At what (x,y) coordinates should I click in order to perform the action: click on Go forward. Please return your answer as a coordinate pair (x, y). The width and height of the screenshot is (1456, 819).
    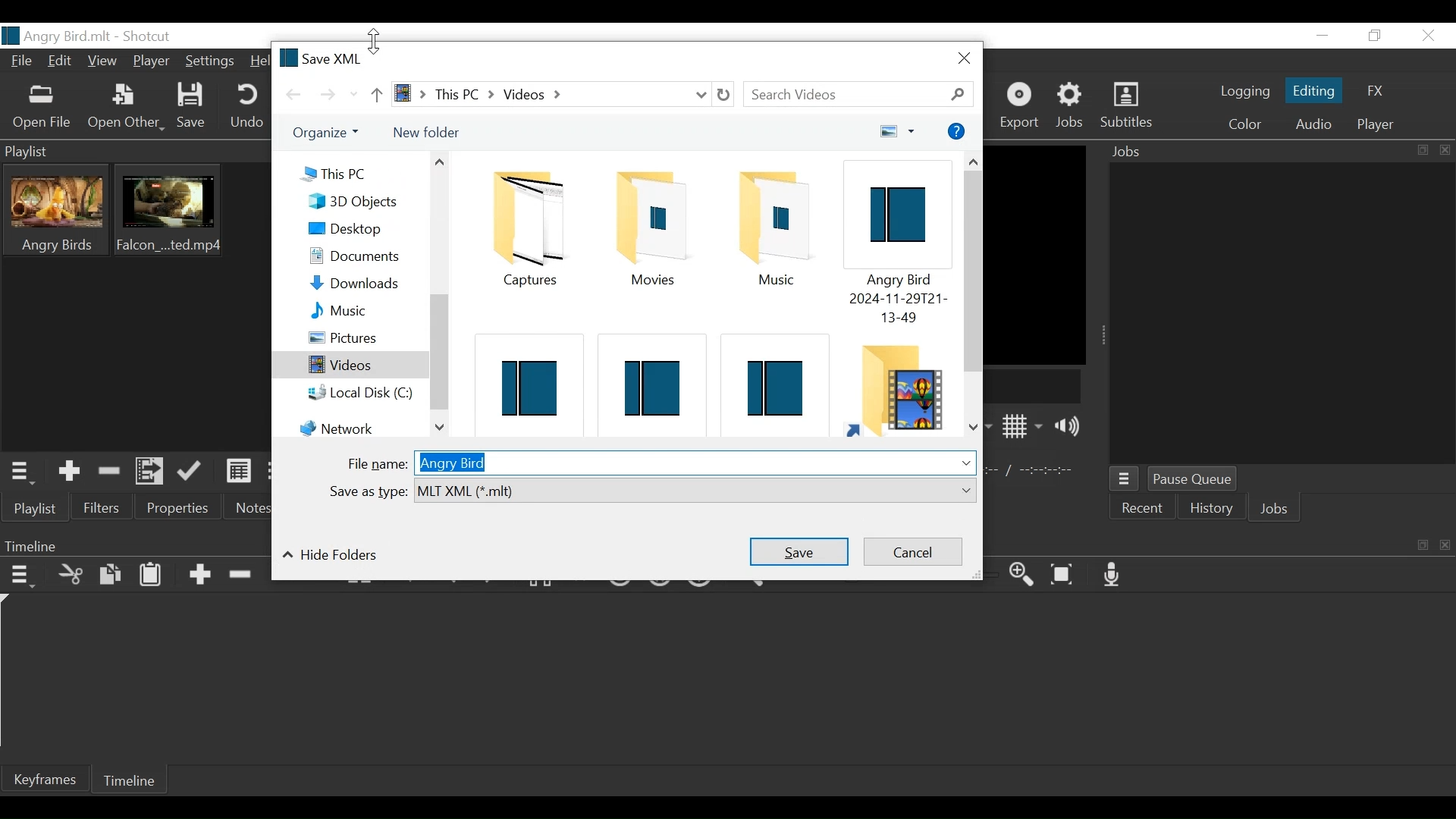
    Looking at the image, I should click on (328, 94).